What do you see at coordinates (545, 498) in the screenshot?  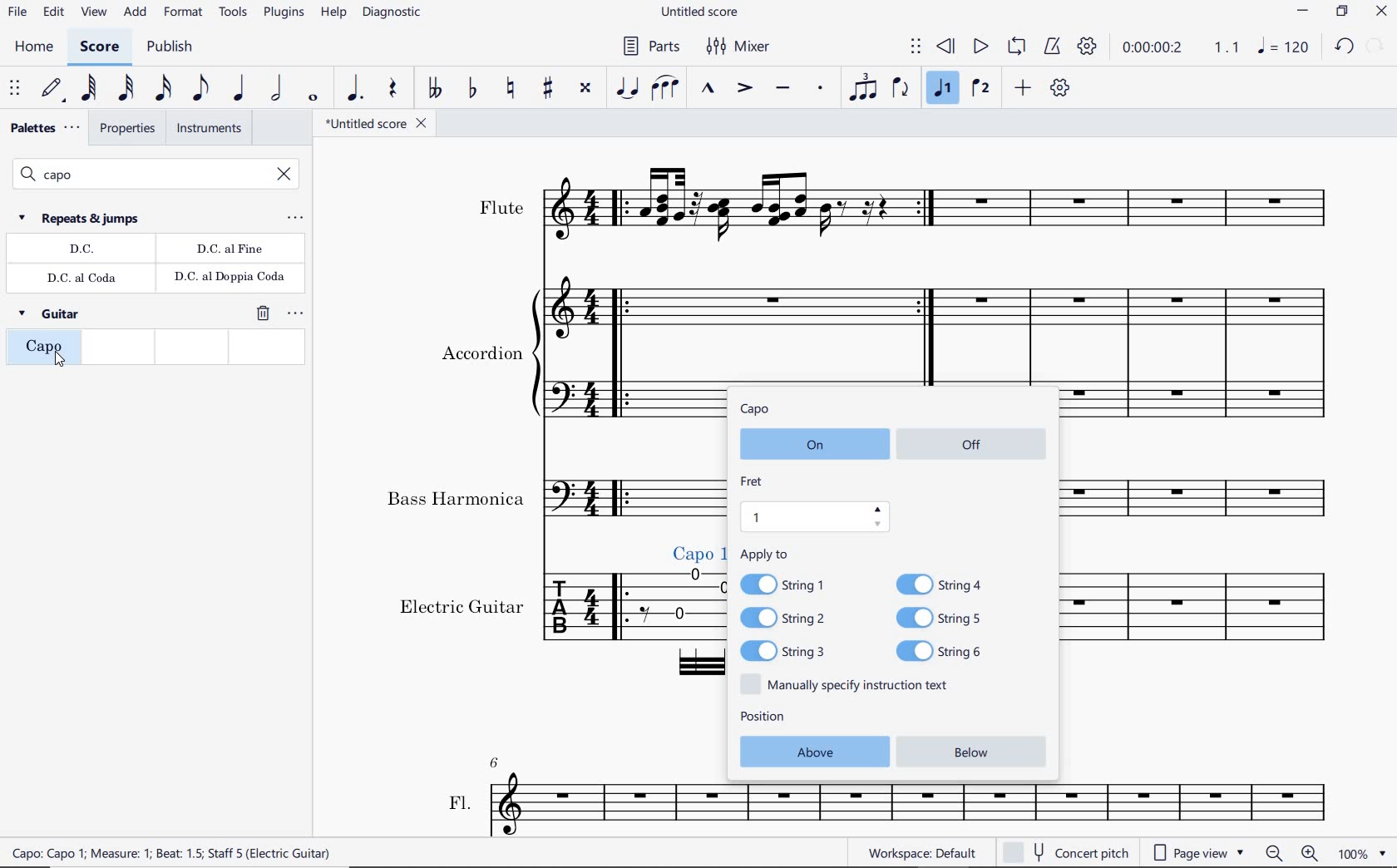 I see `Instrument: Bass Harmonica` at bounding box center [545, 498].